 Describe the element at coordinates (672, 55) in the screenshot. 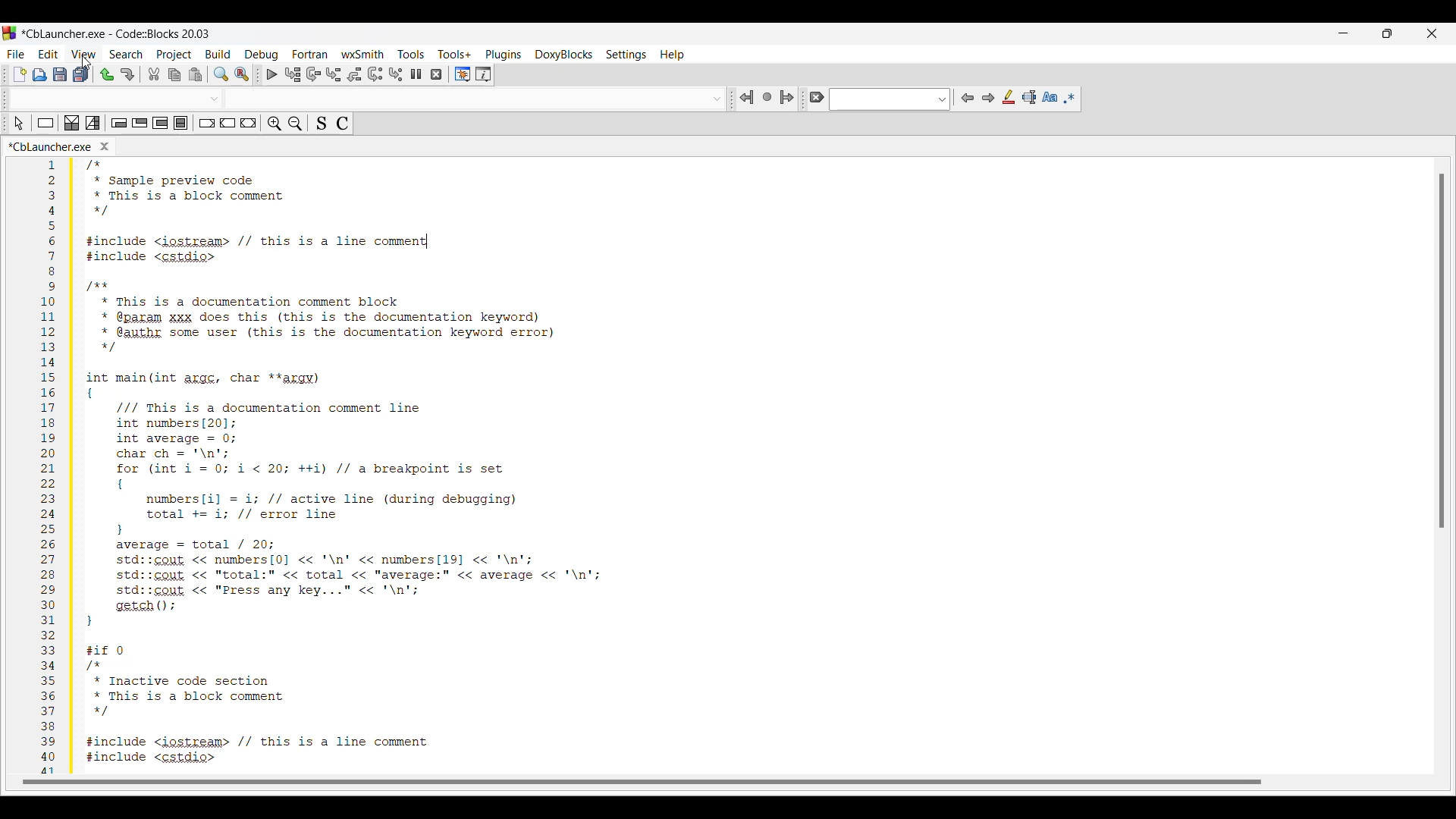

I see `Help menu` at that location.